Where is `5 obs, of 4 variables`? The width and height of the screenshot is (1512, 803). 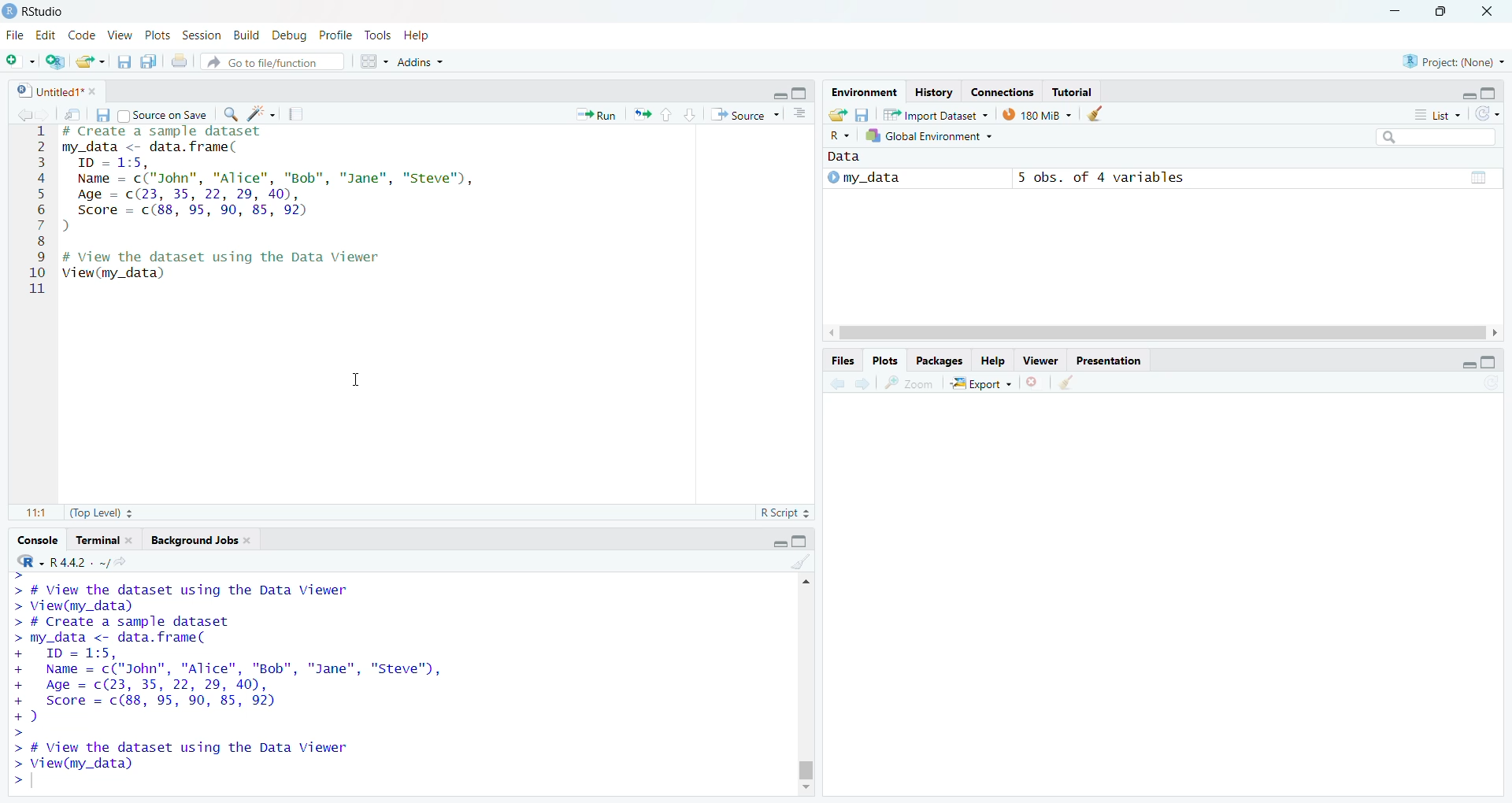 5 obs, of 4 variables is located at coordinates (1102, 176).